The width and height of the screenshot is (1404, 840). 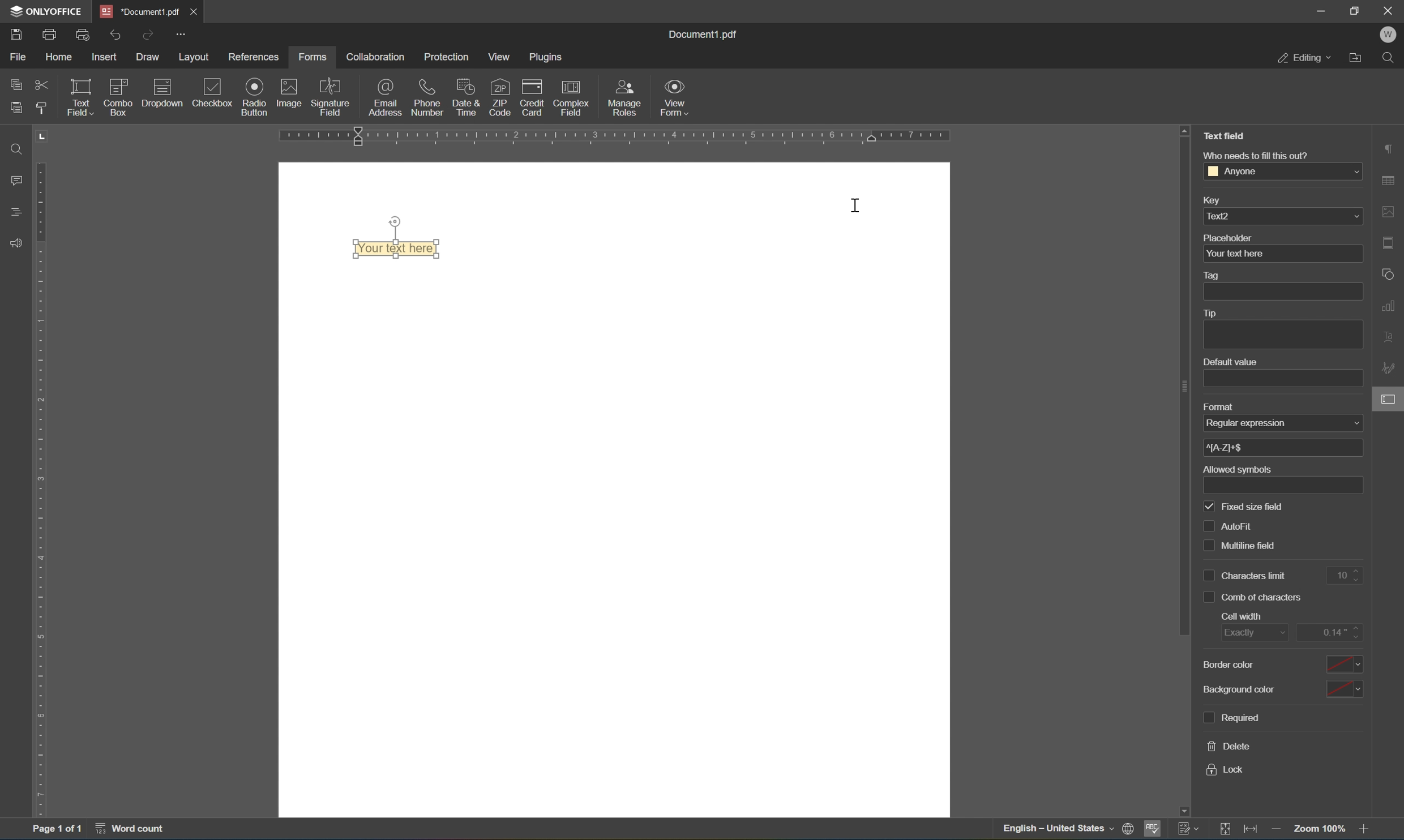 What do you see at coordinates (1302, 58) in the screenshot?
I see `editing` at bounding box center [1302, 58].